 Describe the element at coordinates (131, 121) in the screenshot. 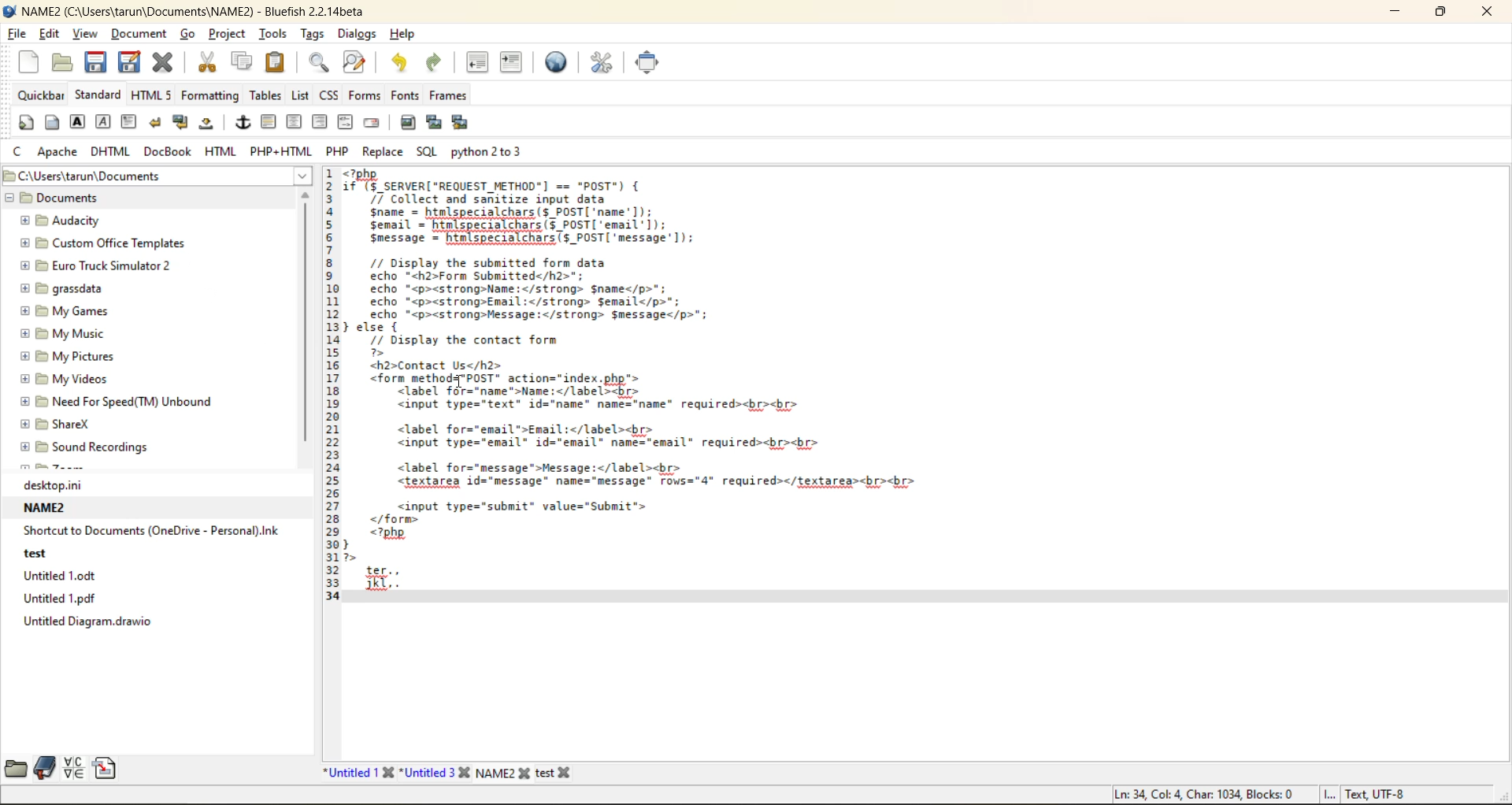

I see `paragraph` at that location.